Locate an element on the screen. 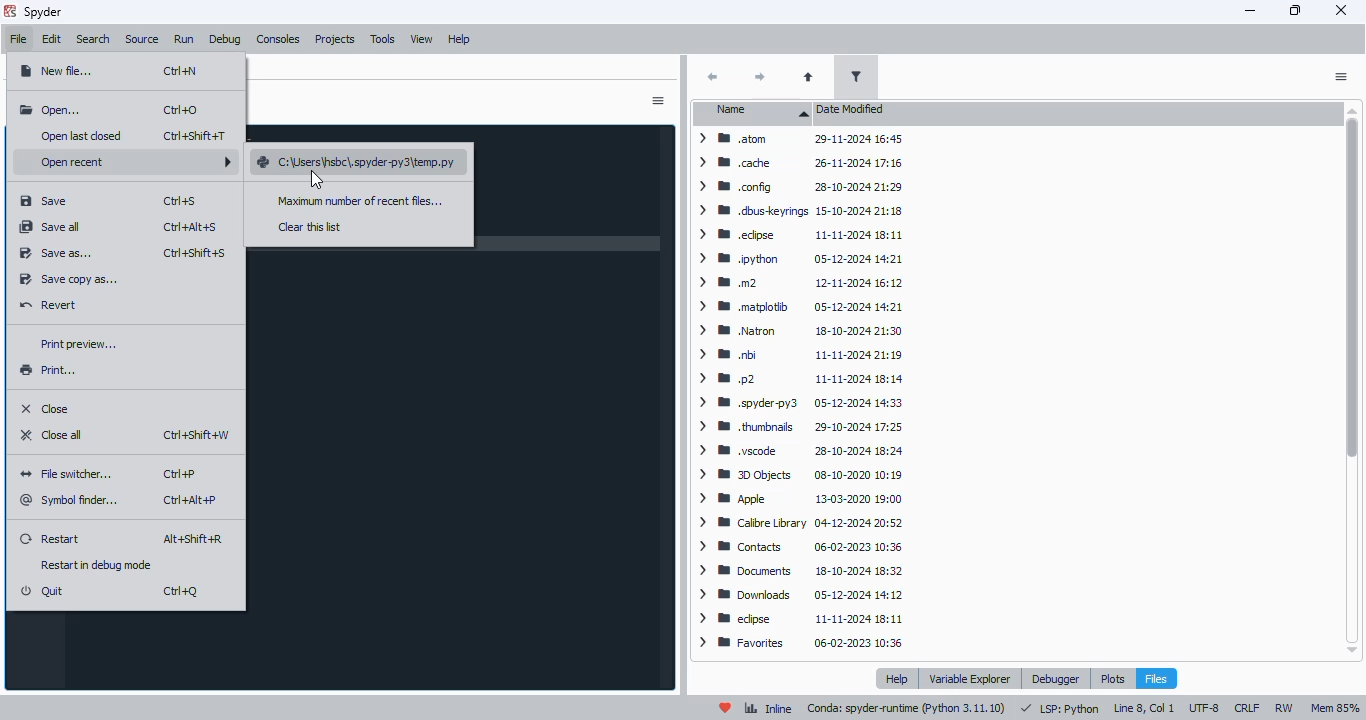  print preview is located at coordinates (76, 344).